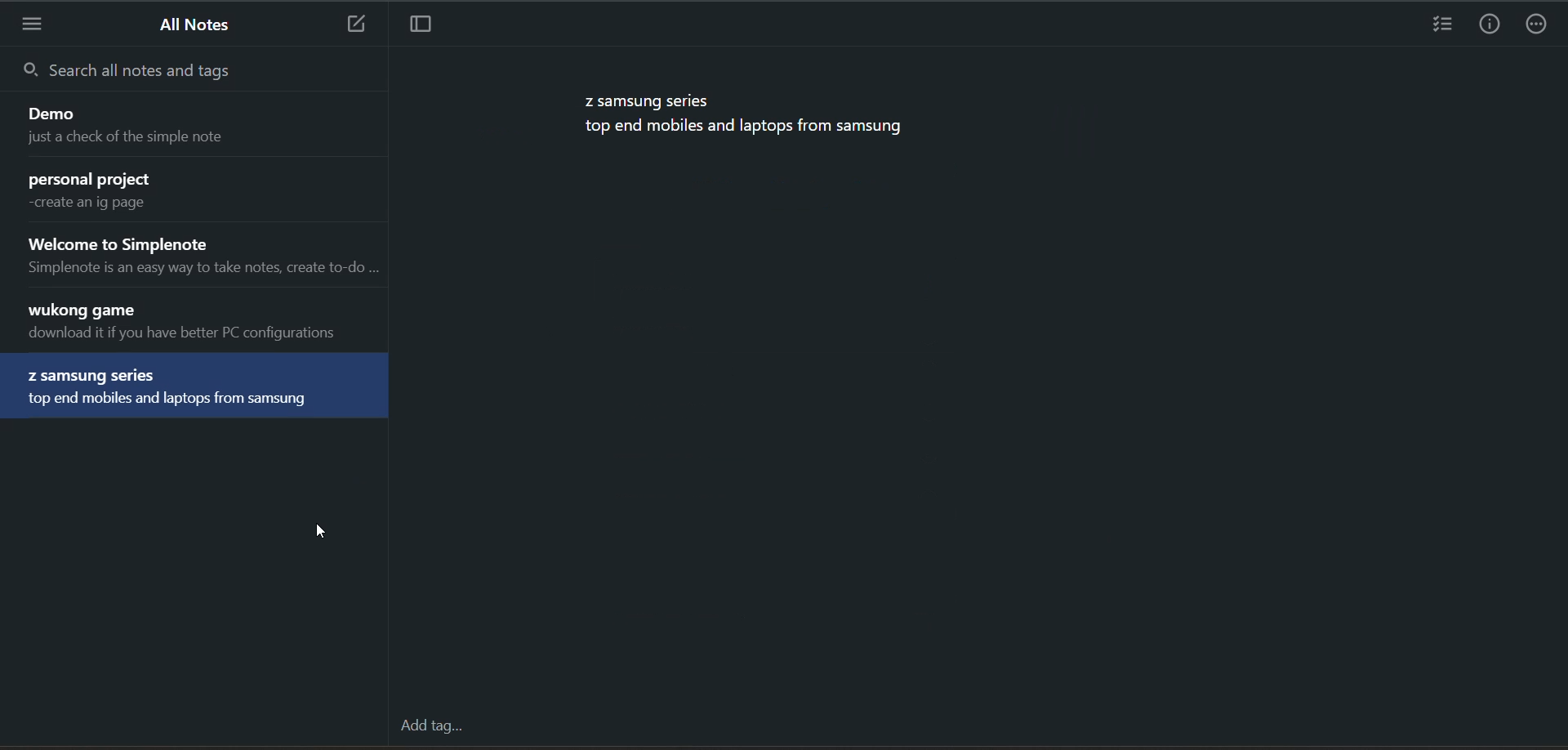  I want to click on search all notes and tags, so click(195, 71).